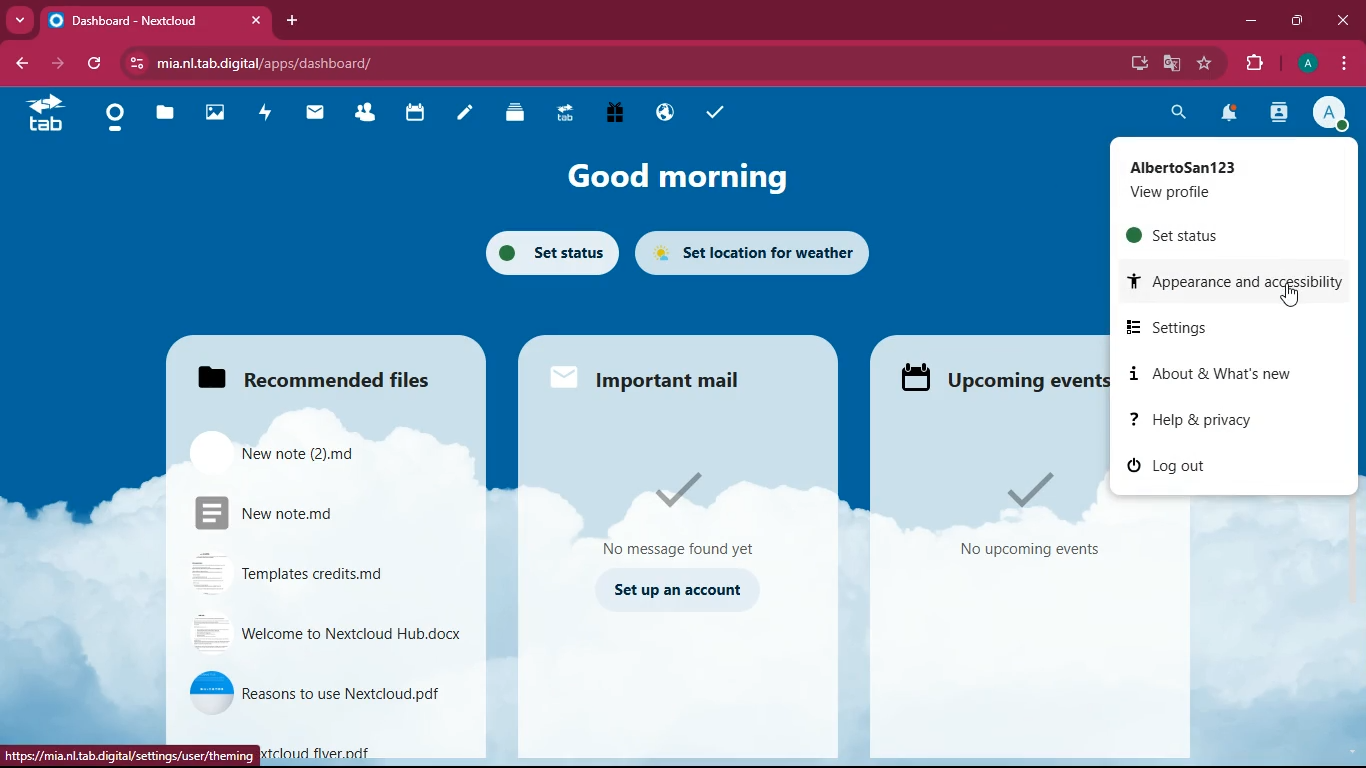 The width and height of the screenshot is (1366, 768). What do you see at coordinates (995, 376) in the screenshot?
I see `upcoming events` at bounding box center [995, 376].